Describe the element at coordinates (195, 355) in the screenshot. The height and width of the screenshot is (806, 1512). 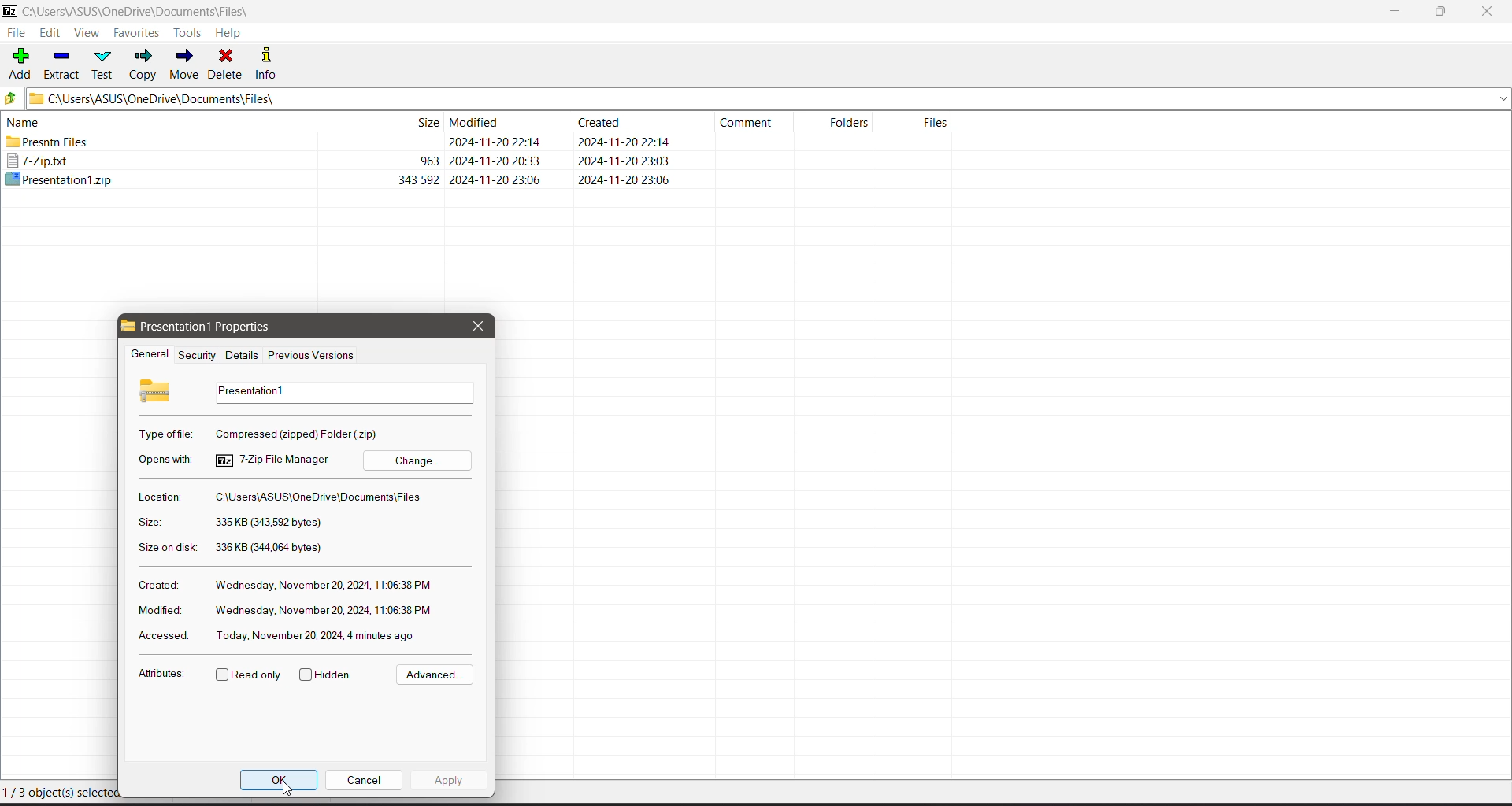
I see `Security` at that location.